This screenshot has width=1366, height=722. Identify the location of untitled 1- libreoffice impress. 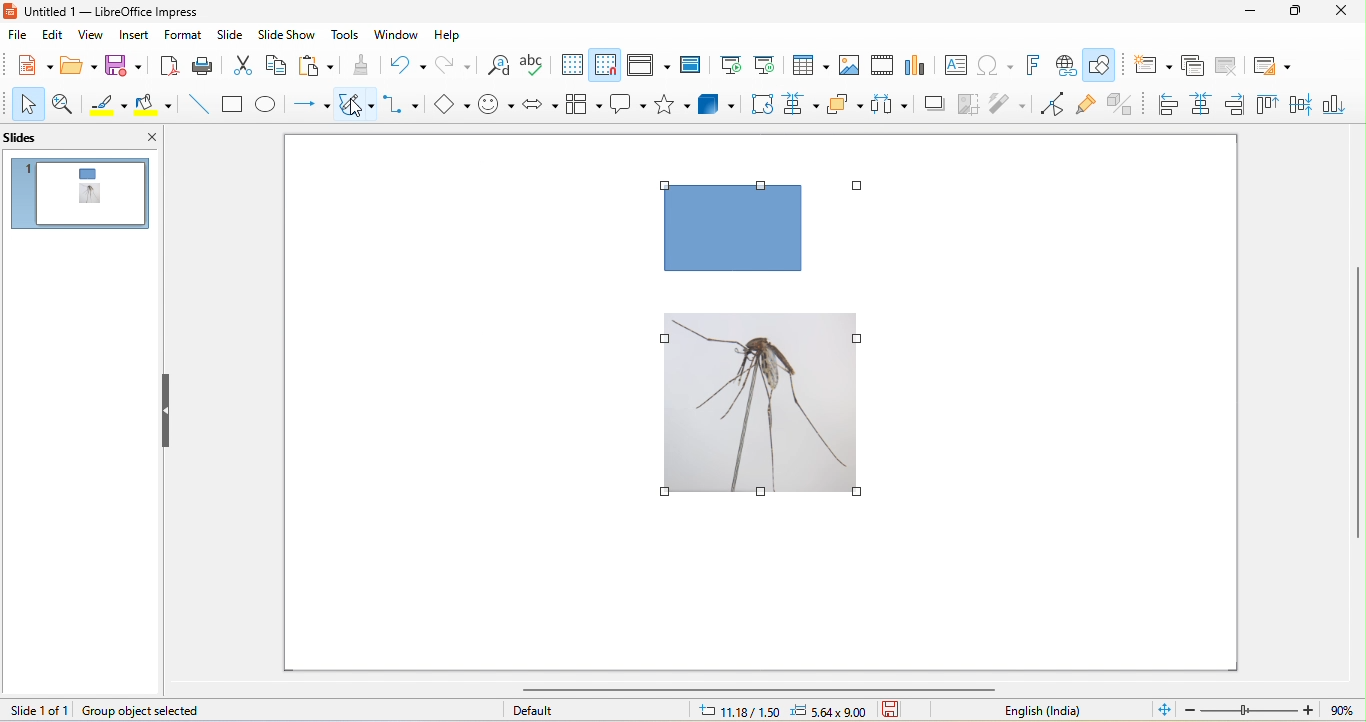
(126, 13).